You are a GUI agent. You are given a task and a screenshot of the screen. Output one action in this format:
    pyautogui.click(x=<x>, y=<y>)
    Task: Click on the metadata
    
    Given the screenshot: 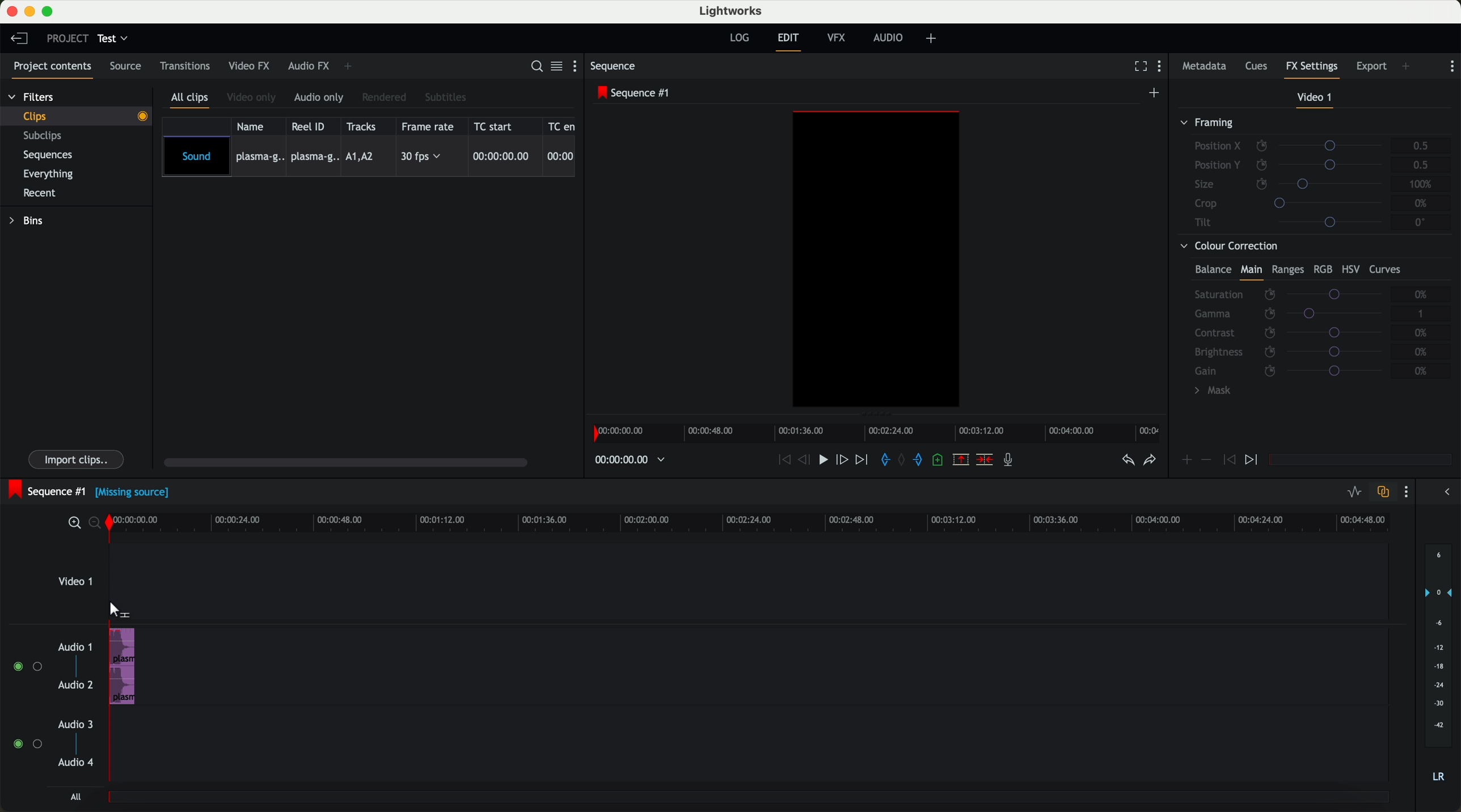 What is the action you would take?
    pyautogui.click(x=1204, y=67)
    